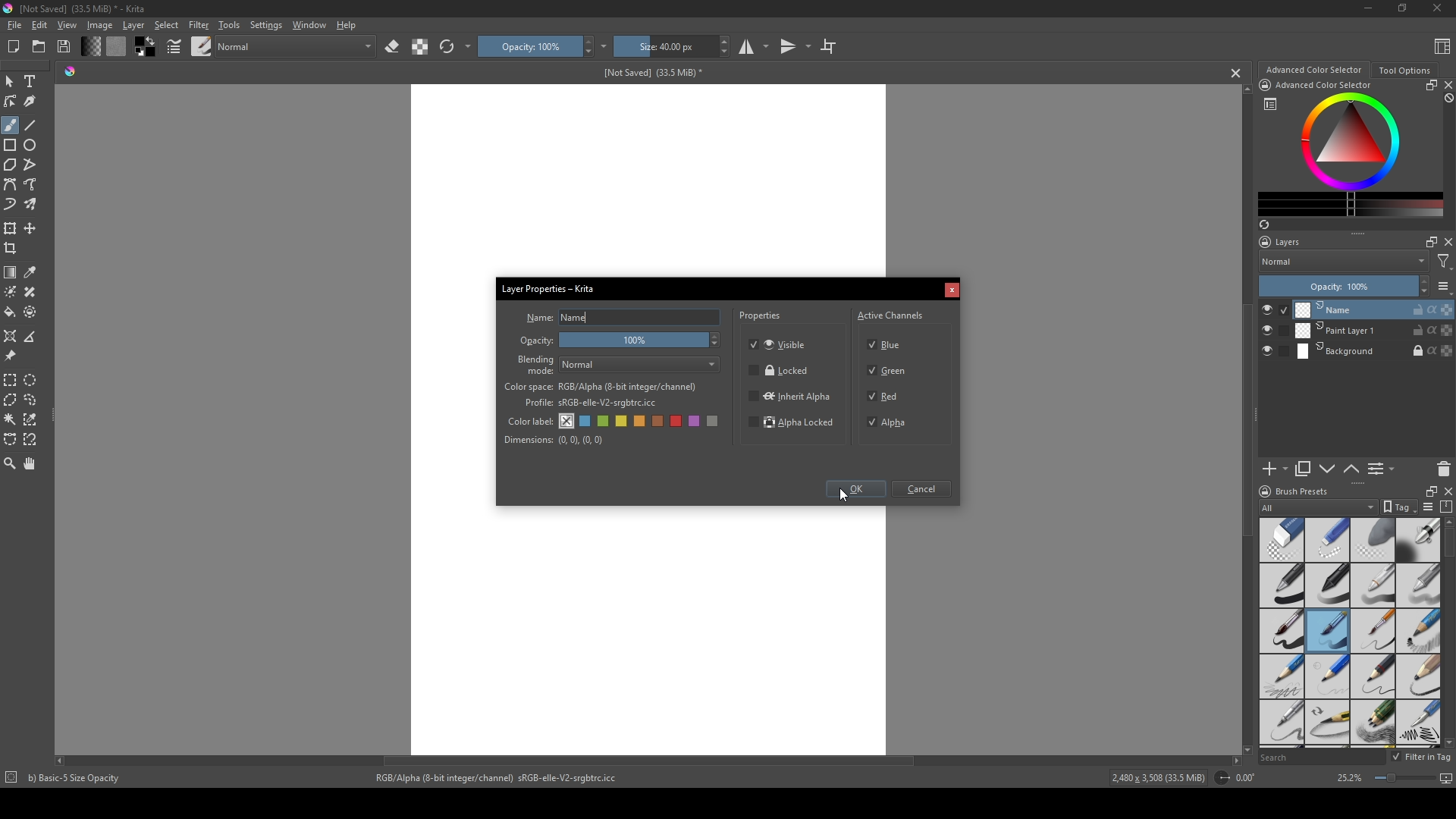 The height and width of the screenshot is (819, 1456). What do you see at coordinates (33, 419) in the screenshot?
I see `similar color` at bounding box center [33, 419].